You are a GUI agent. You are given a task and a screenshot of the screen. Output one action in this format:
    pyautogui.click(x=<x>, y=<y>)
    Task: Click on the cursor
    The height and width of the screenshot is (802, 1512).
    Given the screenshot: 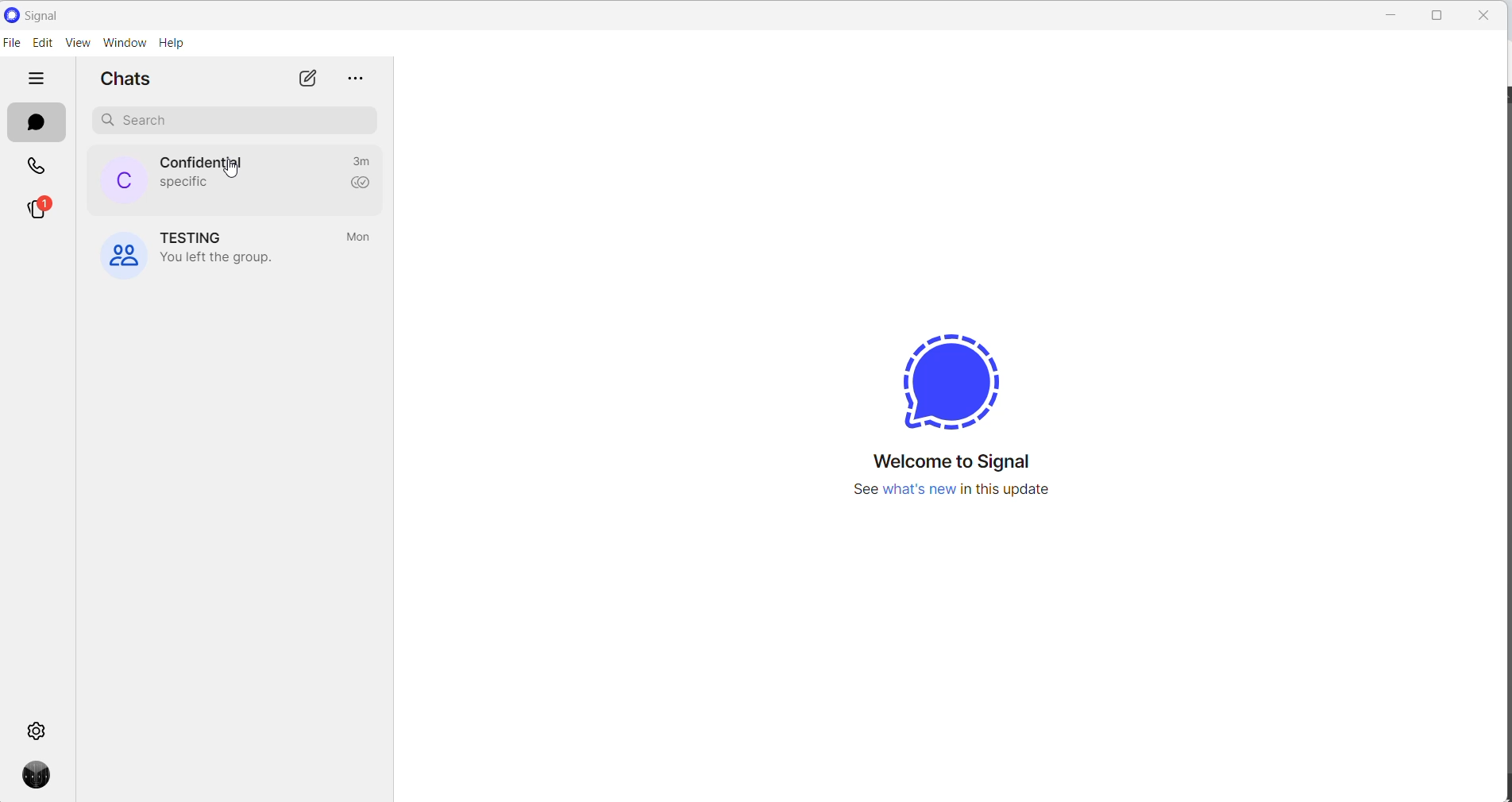 What is the action you would take?
    pyautogui.click(x=235, y=174)
    